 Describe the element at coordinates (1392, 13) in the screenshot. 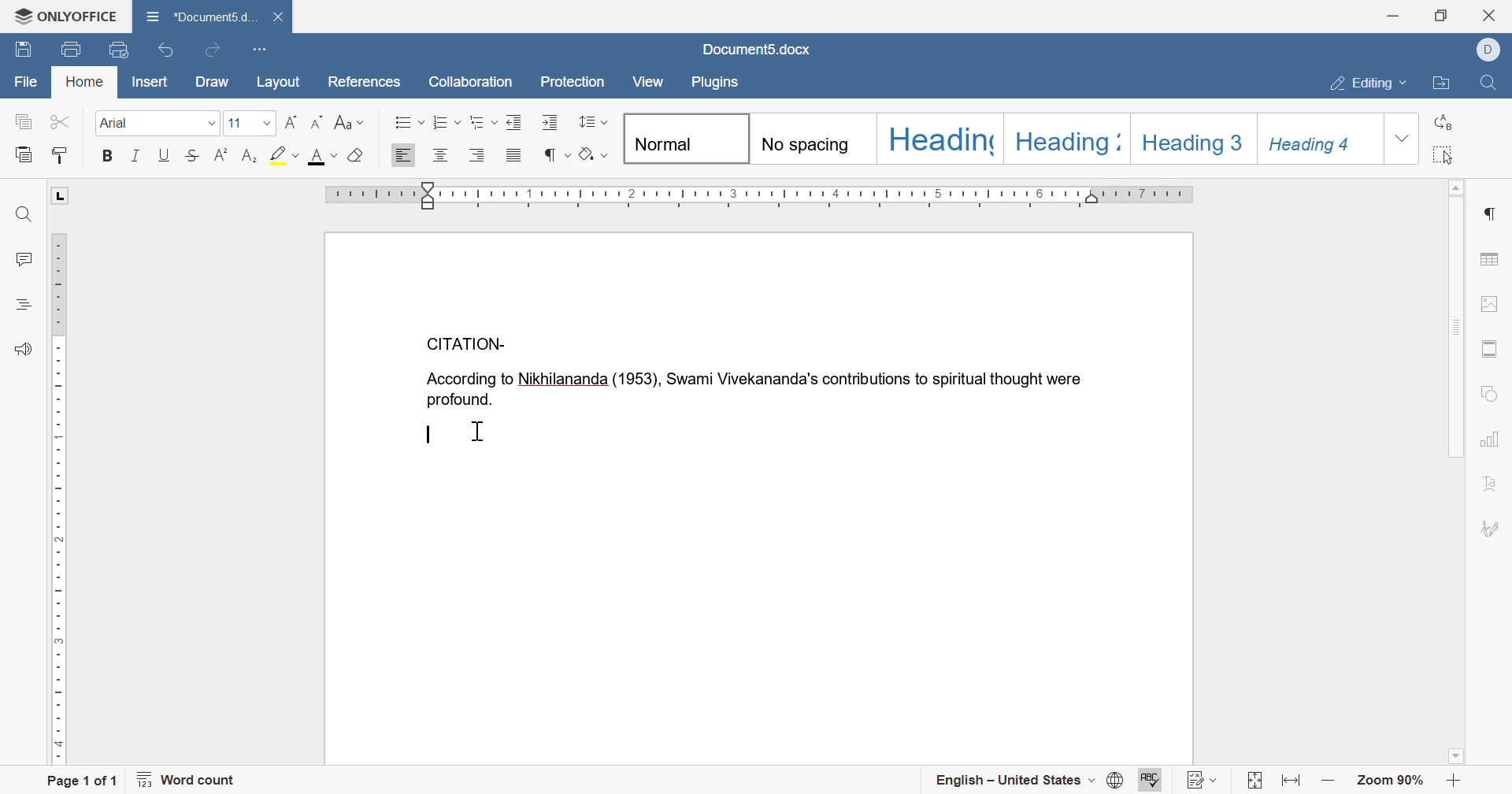

I see `minimize` at that location.